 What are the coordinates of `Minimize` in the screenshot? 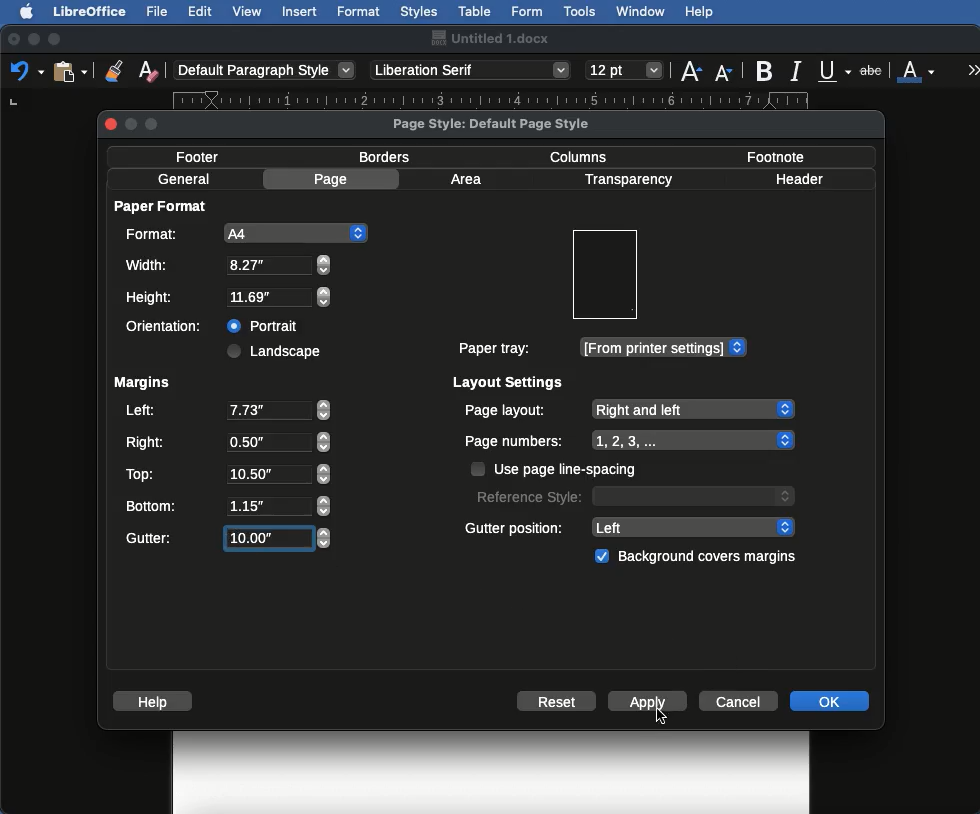 It's located at (33, 39).